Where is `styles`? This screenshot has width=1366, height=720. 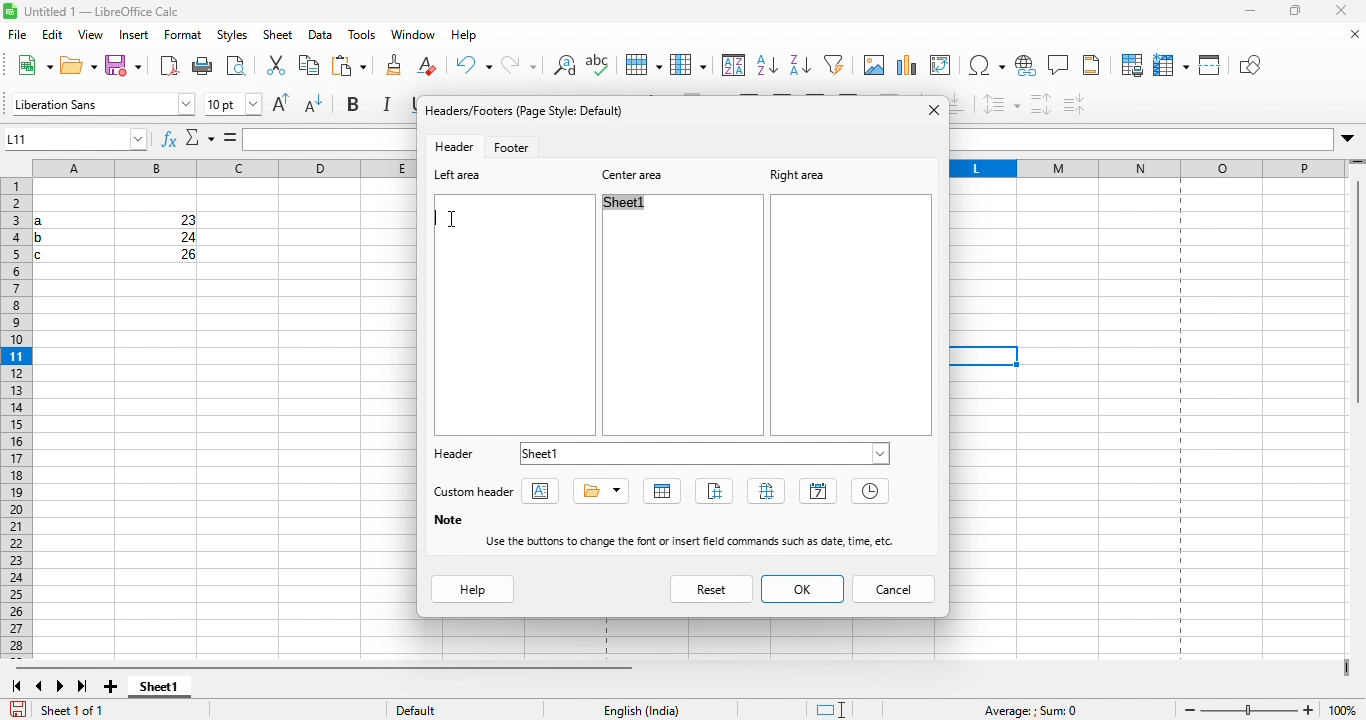
styles is located at coordinates (228, 39).